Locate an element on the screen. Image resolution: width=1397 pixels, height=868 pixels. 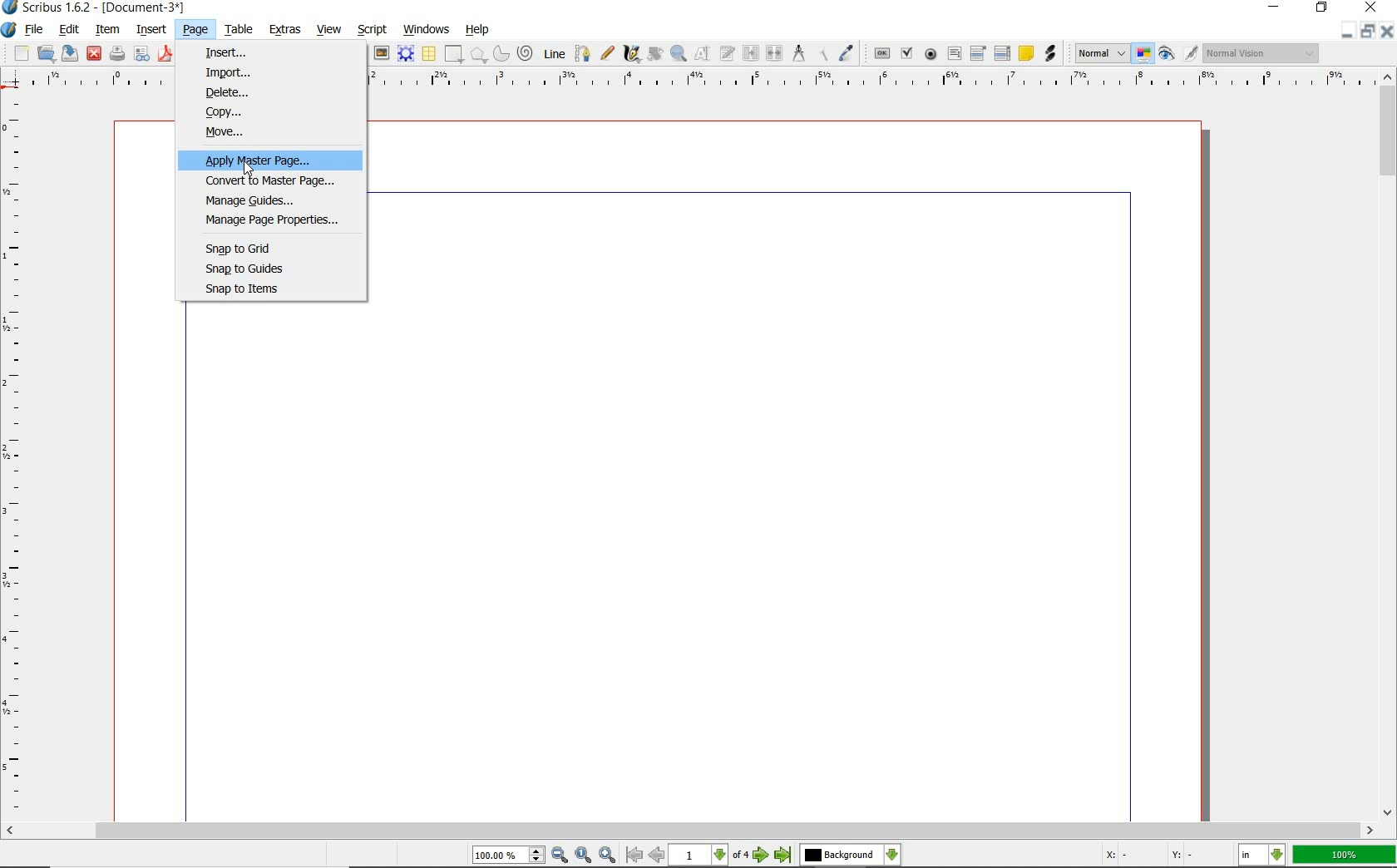
edit text with story editor is located at coordinates (726, 53).